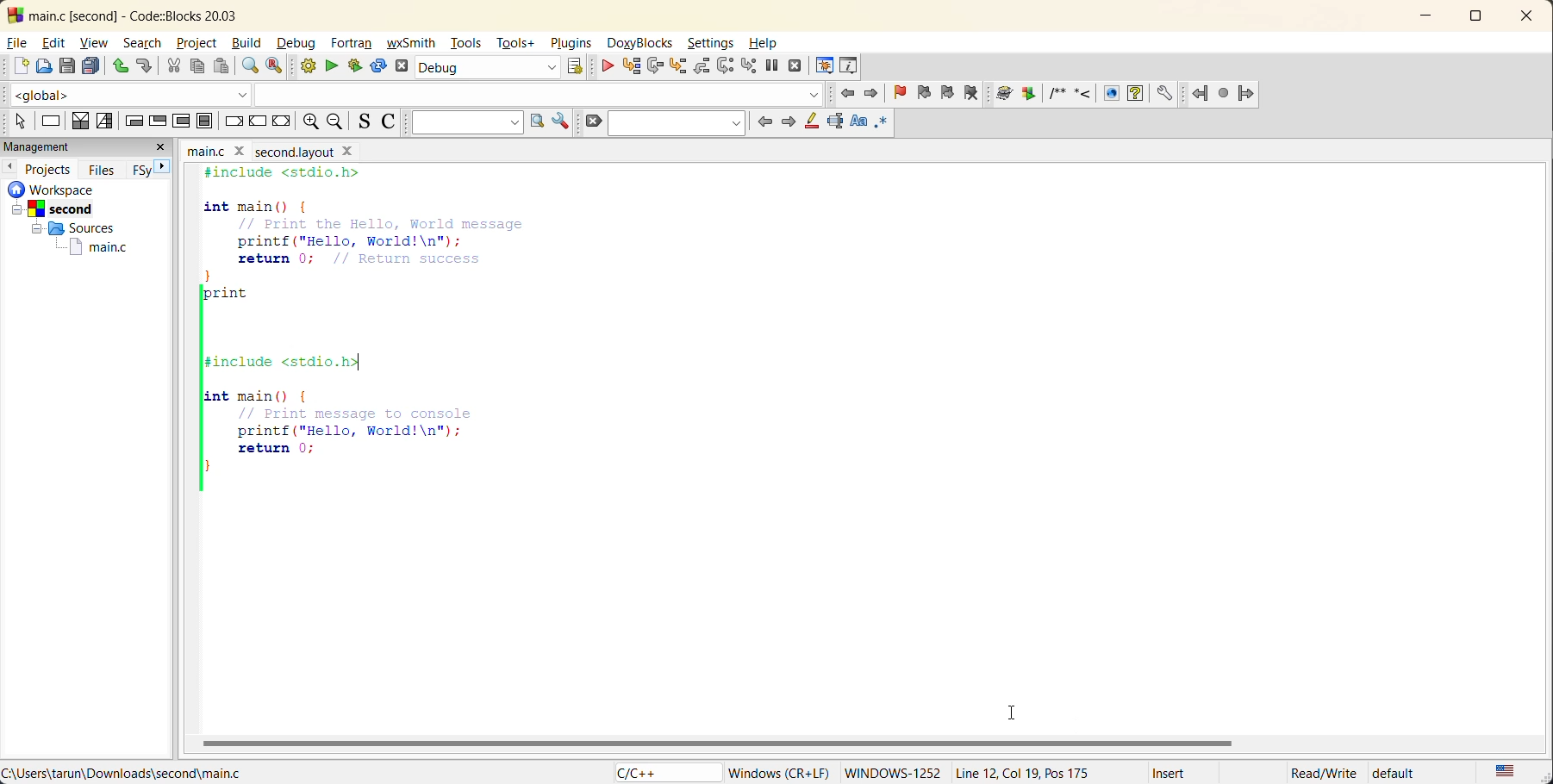 The height and width of the screenshot is (784, 1553). What do you see at coordinates (410, 91) in the screenshot?
I see `code completion compiler` at bounding box center [410, 91].